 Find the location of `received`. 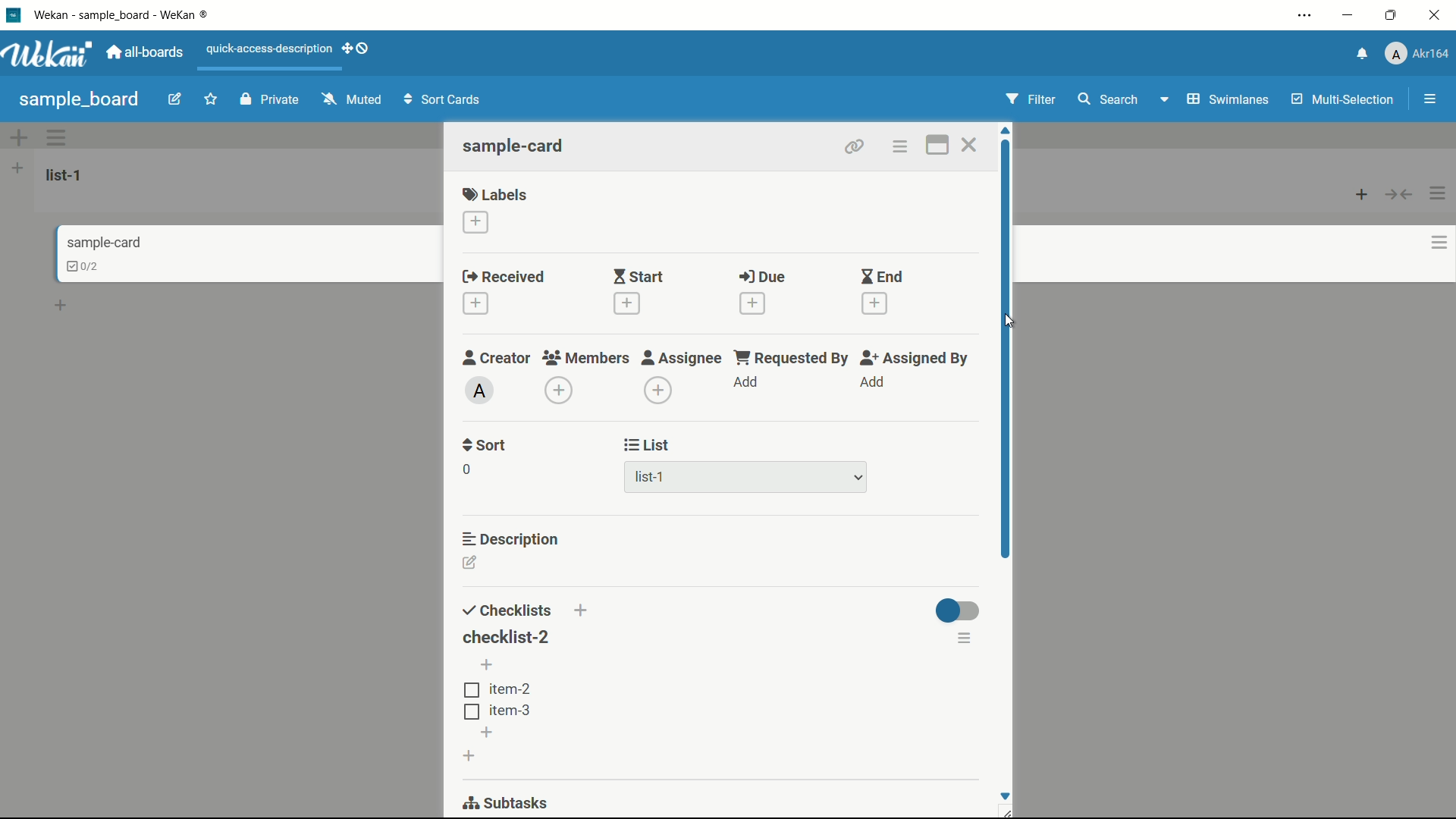

received is located at coordinates (504, 277).